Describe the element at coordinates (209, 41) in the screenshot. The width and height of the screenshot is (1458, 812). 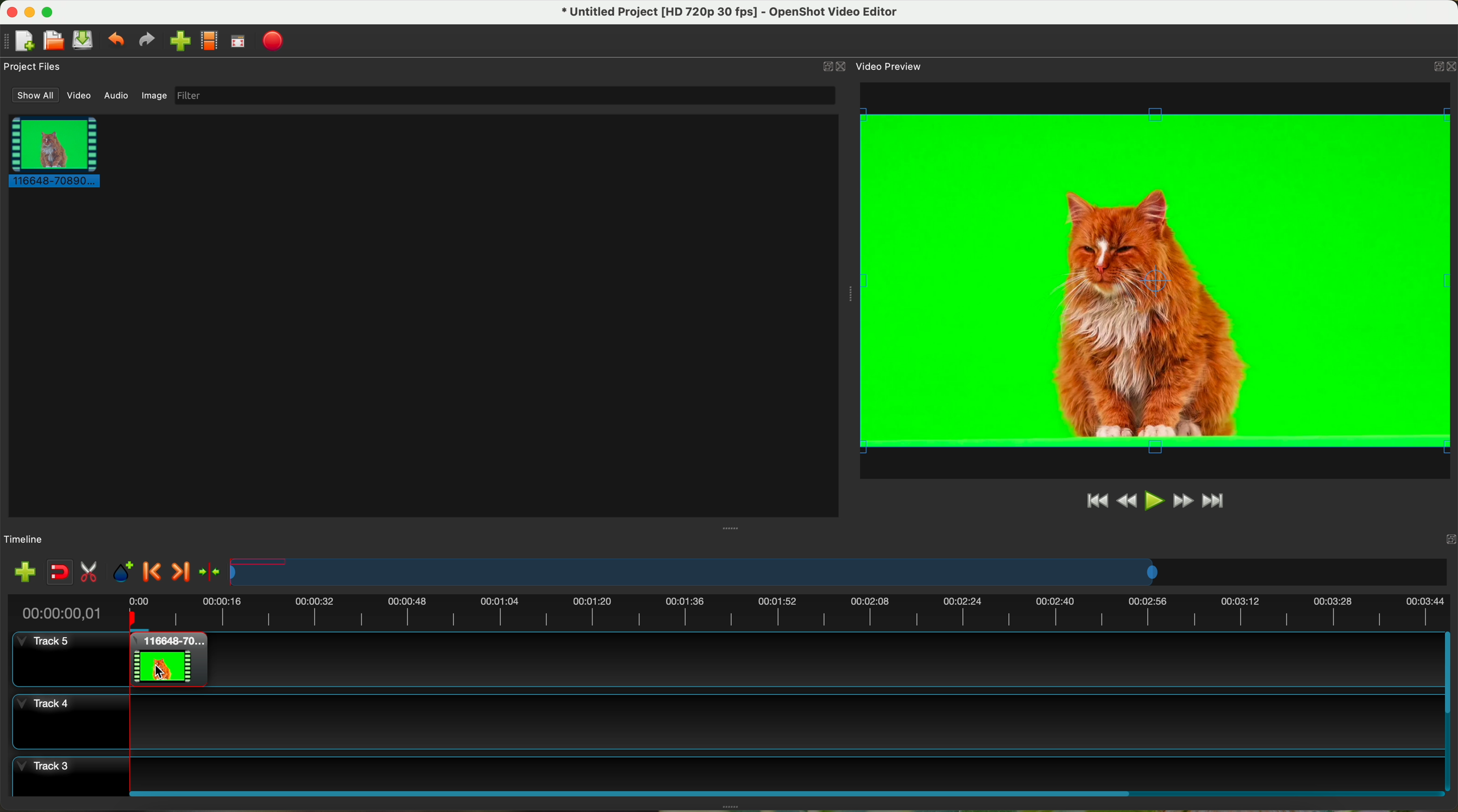
I see `choose profile` at that location.